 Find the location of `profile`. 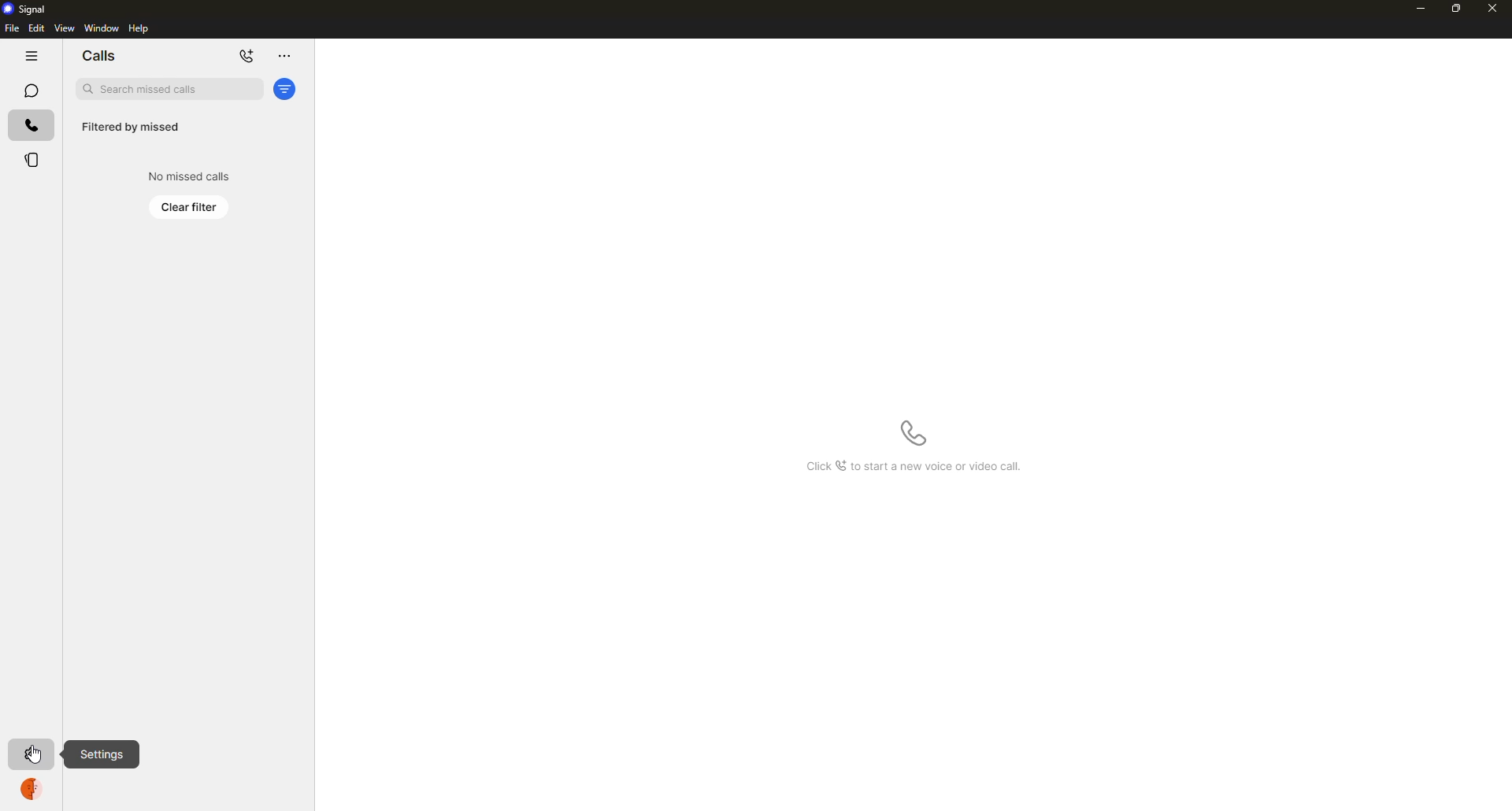

profile is located at coordinates (31, 791).